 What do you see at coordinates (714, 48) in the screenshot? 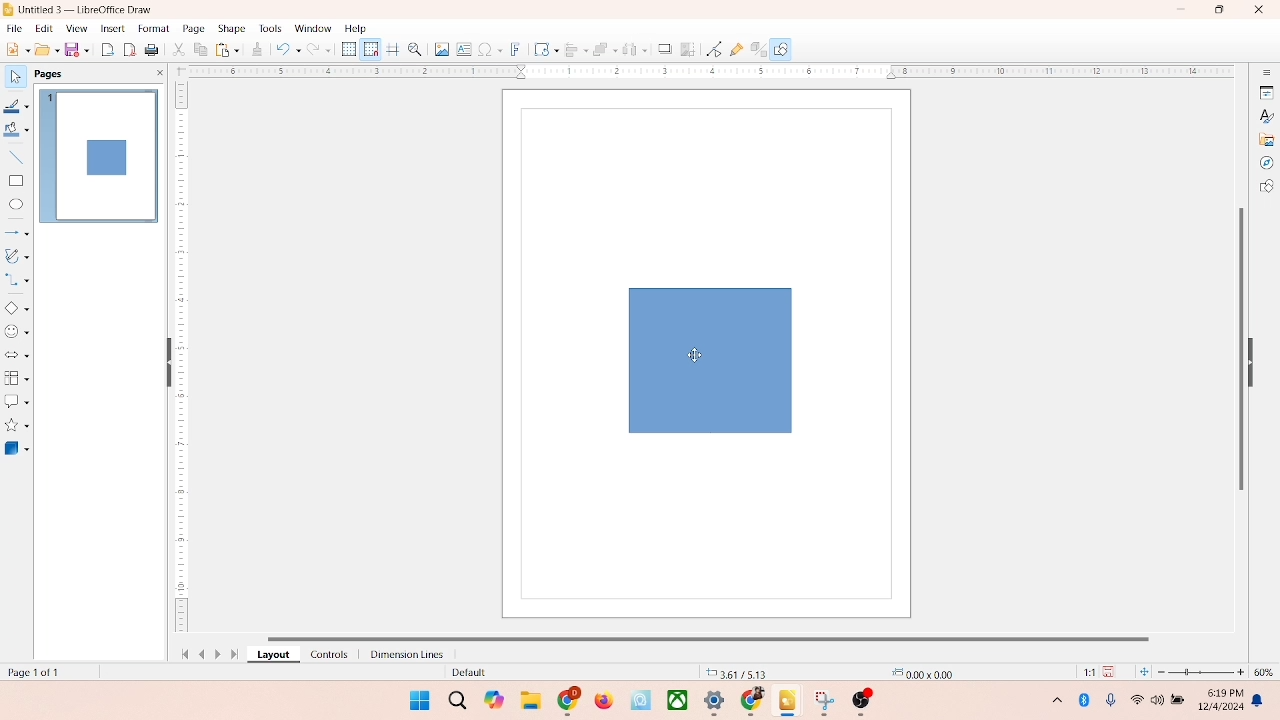
I see `point edit mode` at bounding box center [714, 48].